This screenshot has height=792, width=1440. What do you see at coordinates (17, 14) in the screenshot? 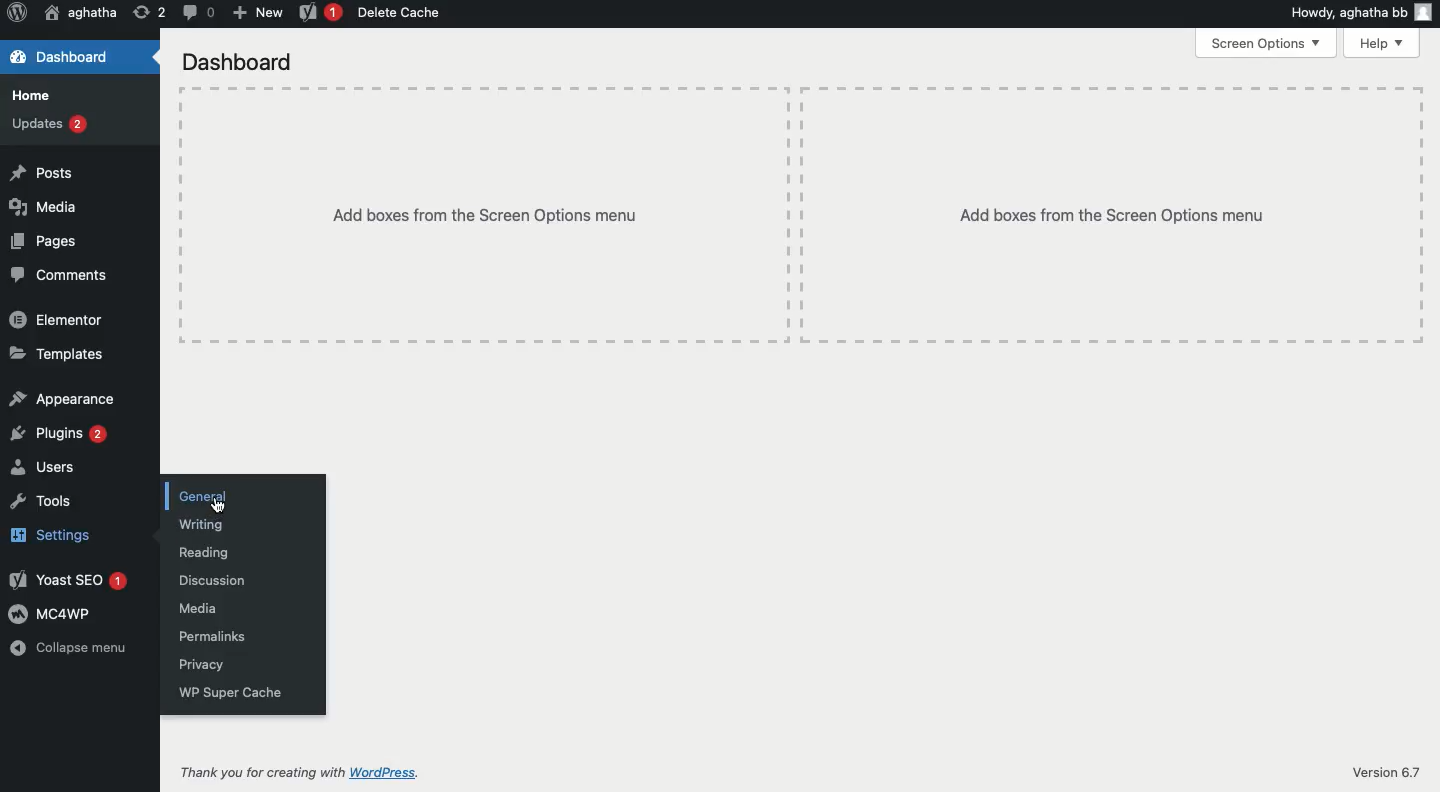
I see `Logo` at bounding box center [17, 14].